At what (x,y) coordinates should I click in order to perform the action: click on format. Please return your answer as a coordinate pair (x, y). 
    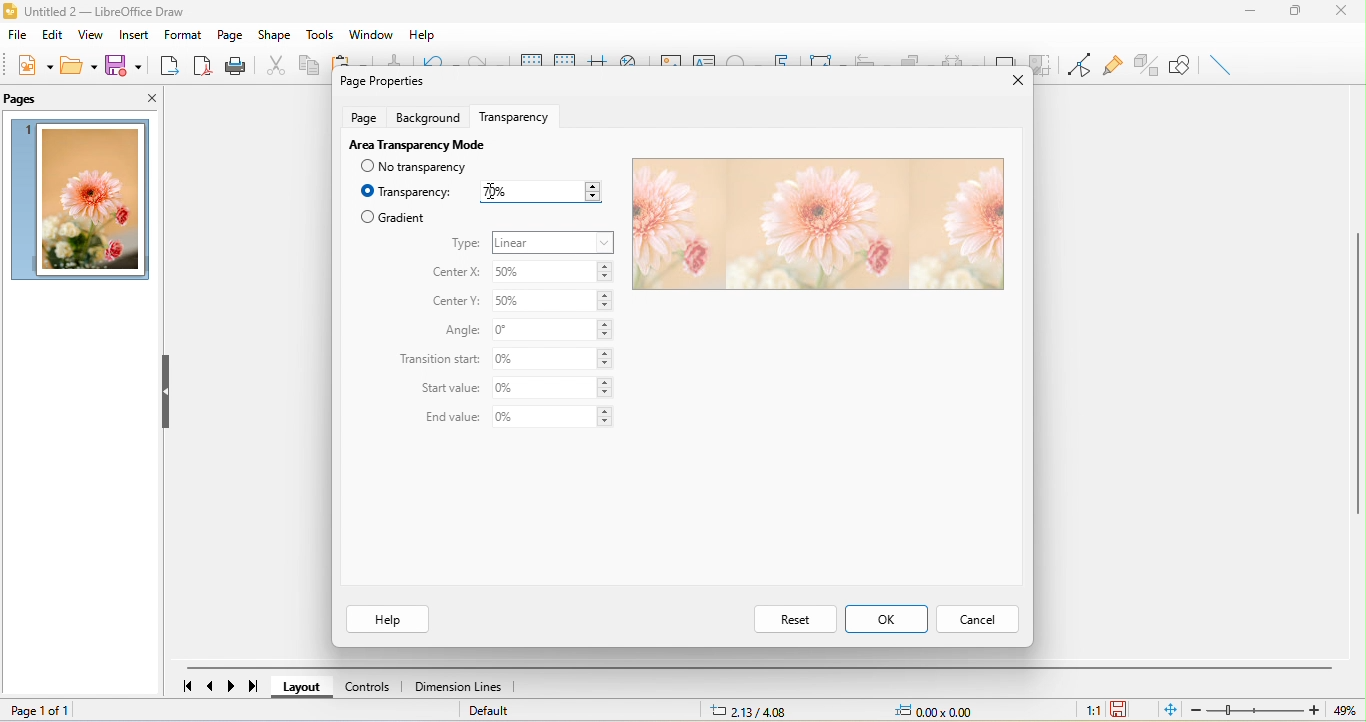
    Looking at the image, I should click on (184, 34).